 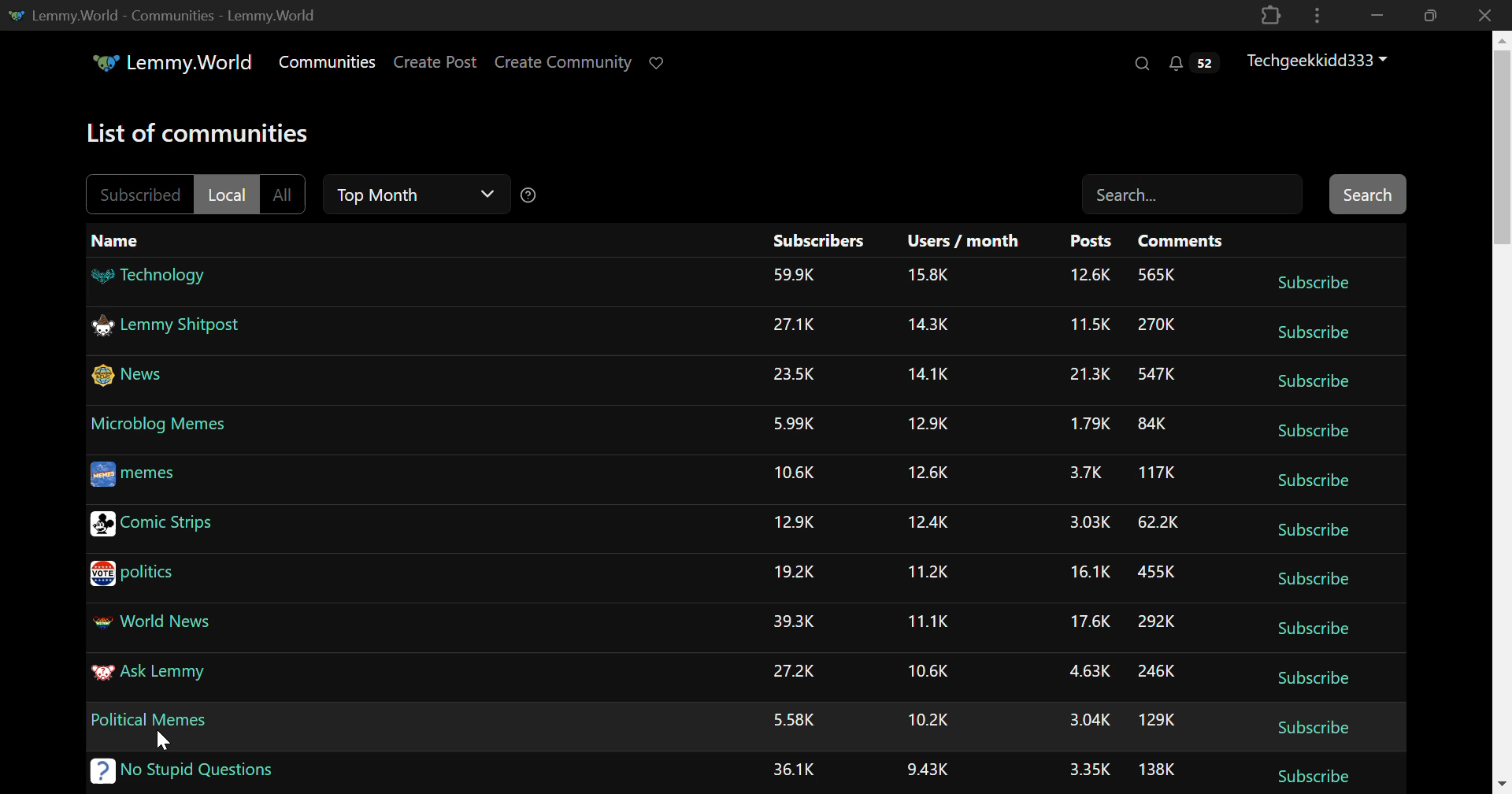 I want to click on Amount, so click(x=1088, y=375).